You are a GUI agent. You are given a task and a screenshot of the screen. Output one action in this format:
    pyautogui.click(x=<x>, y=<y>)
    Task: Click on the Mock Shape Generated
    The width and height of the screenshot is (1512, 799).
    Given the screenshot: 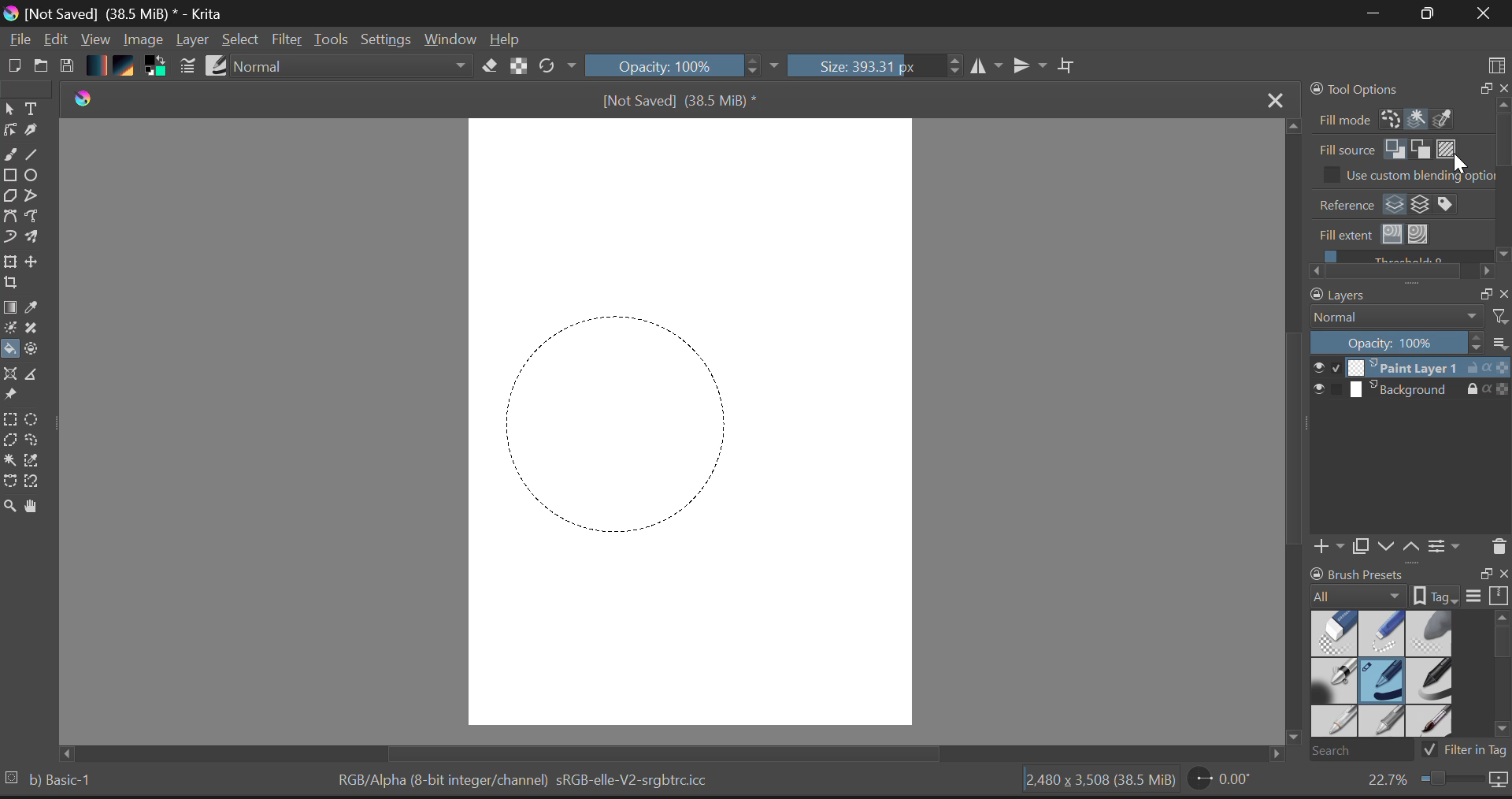 What is the action you would take?
    pyautogui.click(x=609, y=418)
    